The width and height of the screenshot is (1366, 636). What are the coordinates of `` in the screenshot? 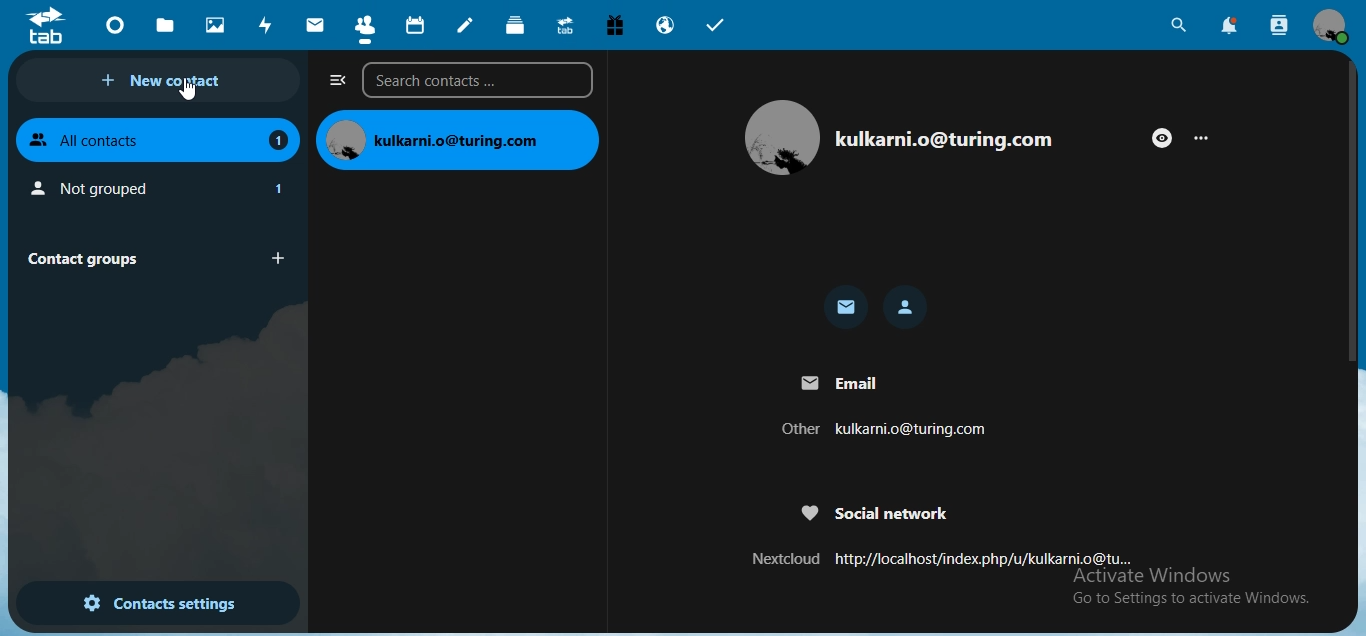 It's located at (1205, 137).